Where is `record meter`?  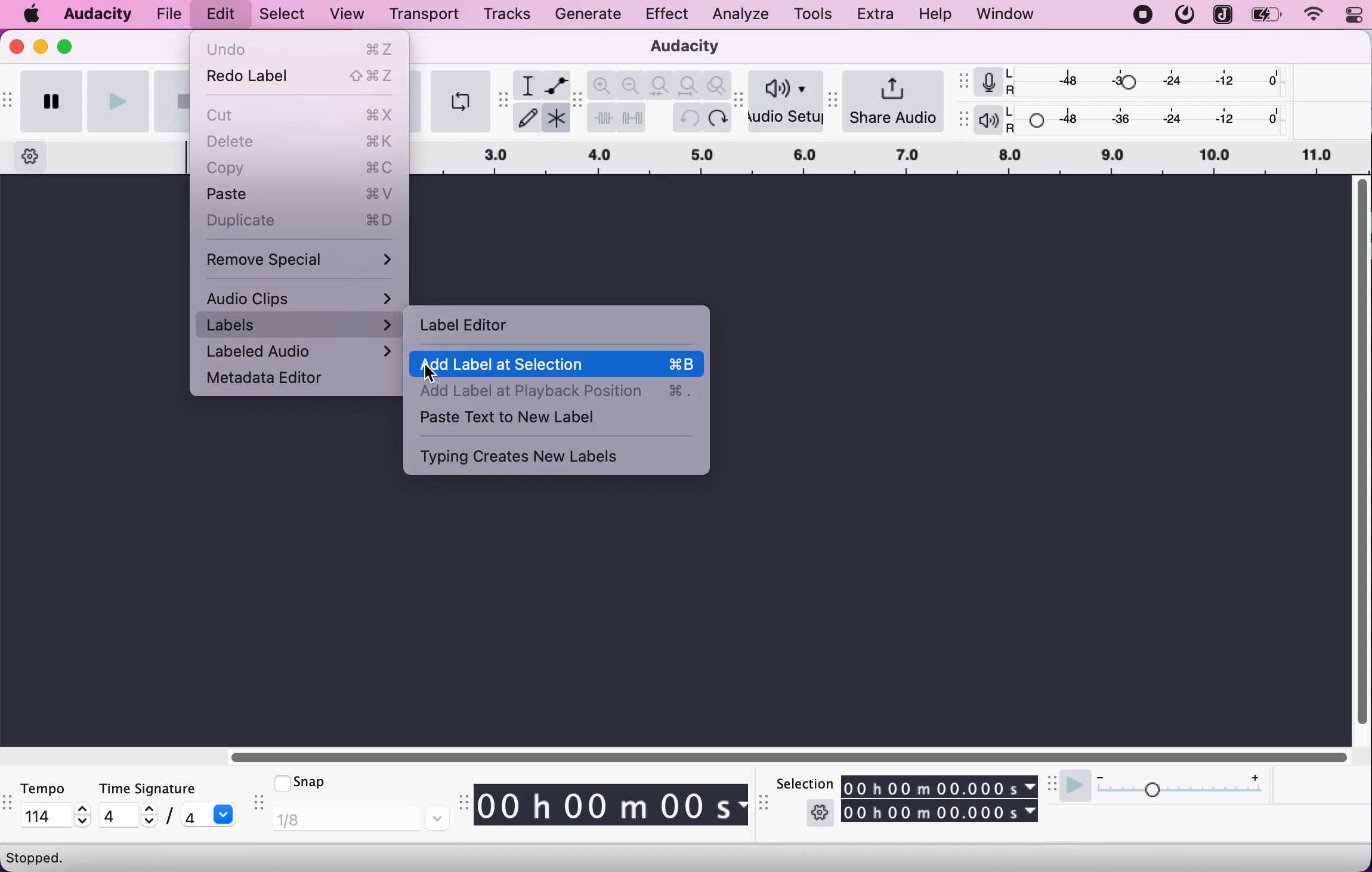
record meter is located at coordinates (986, 82).